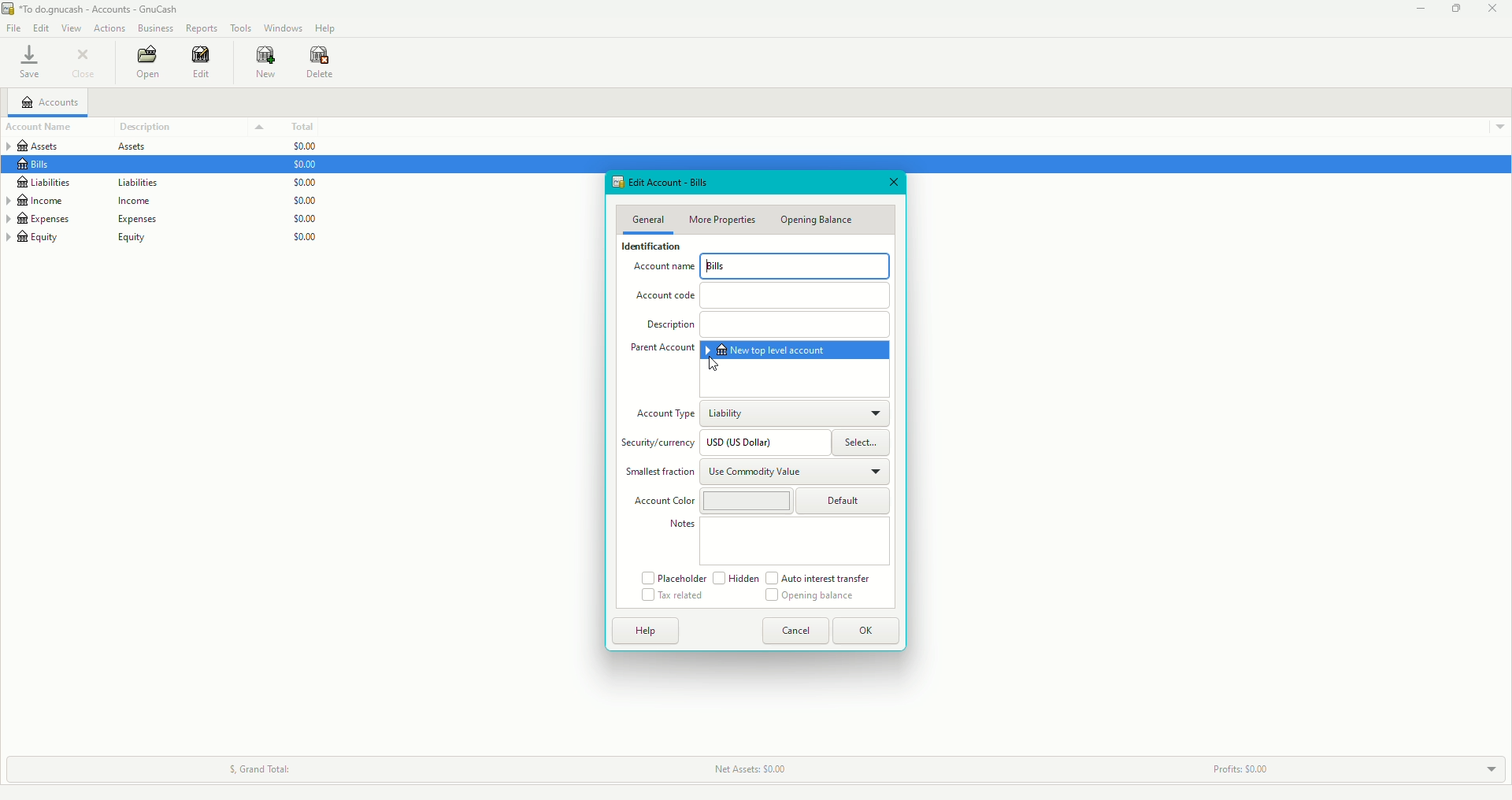 The height and width of the screenshot is (800, 1512). What do you see at coordinates (84, 62) in the screenshot?
I see `Close` at bounding box center [84, 62].